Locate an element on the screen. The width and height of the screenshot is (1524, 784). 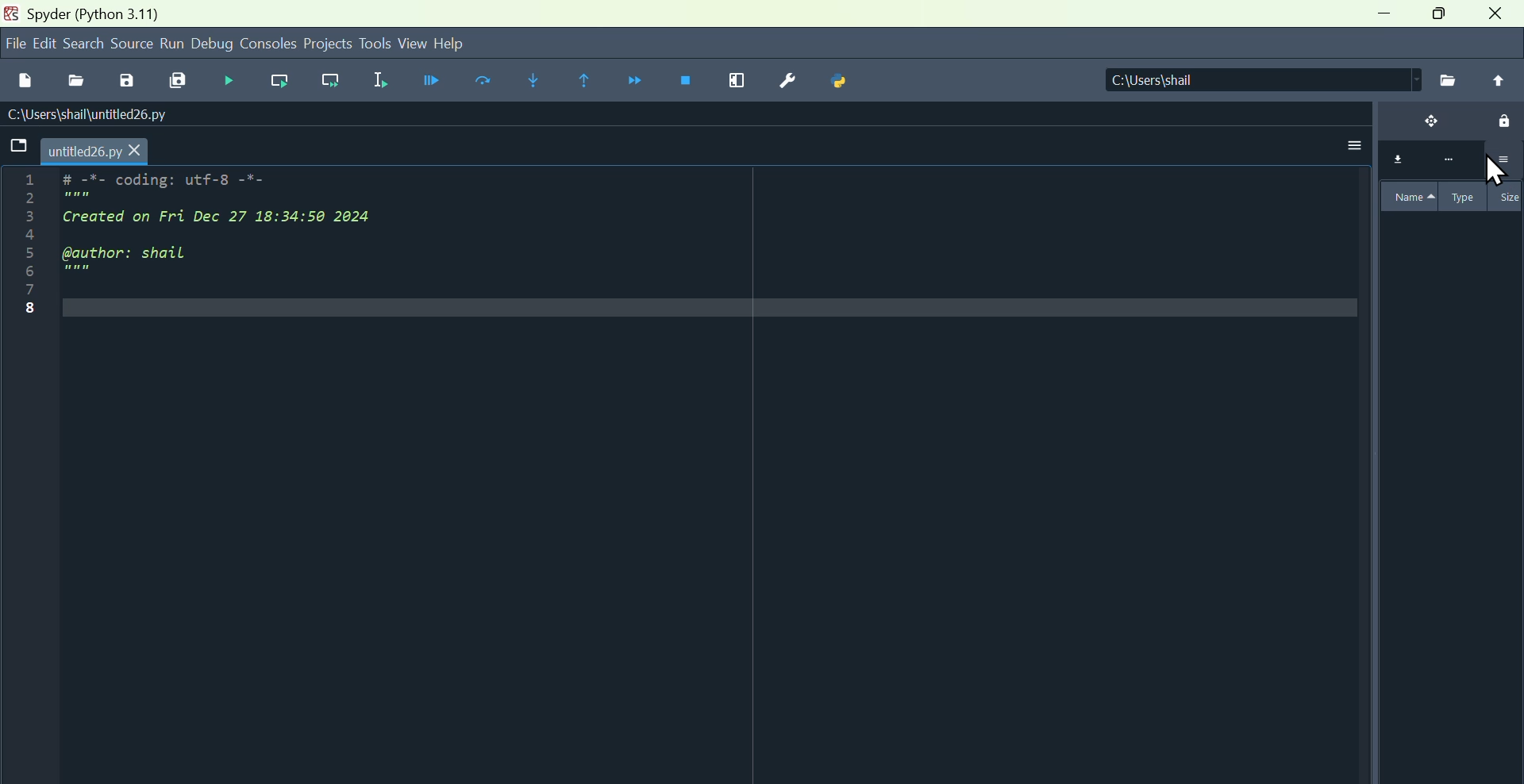
More options is located at coordinates (1356, 140).